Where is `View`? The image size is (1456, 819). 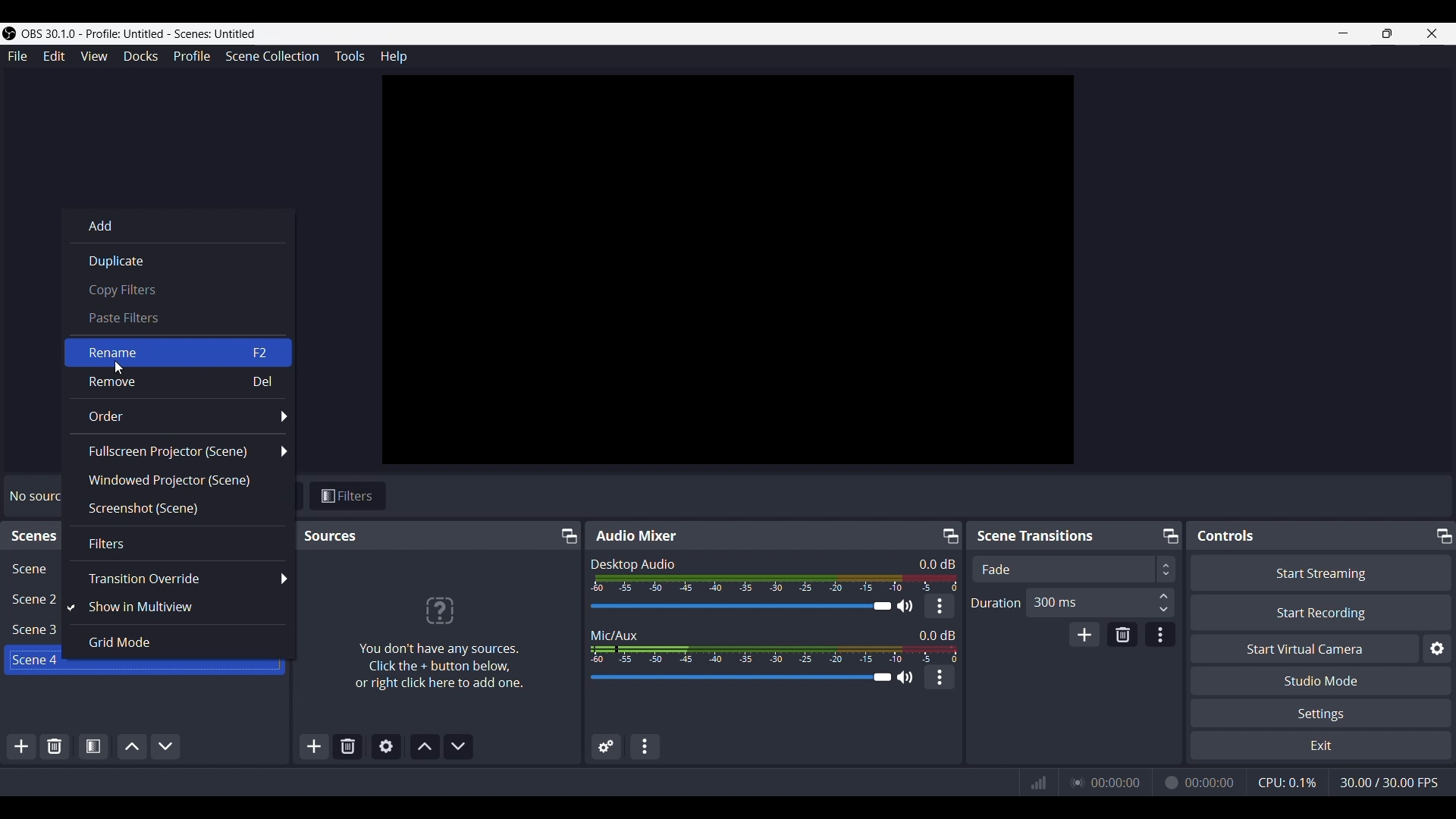
View is located at coordinates (93, 56).